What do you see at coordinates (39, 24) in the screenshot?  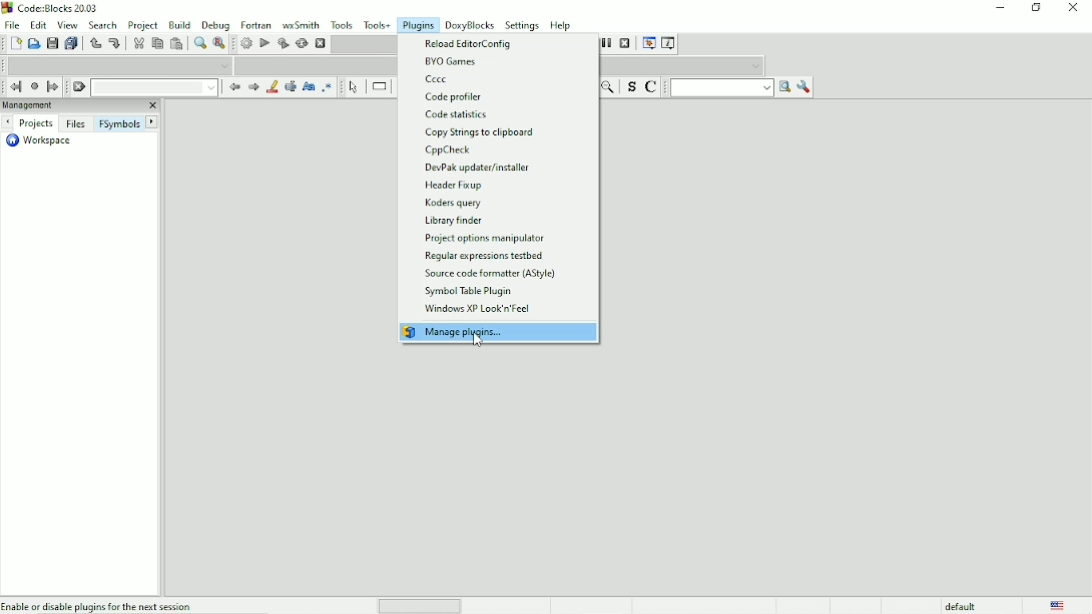 I see `Edit` at bounding box center [39, 24].